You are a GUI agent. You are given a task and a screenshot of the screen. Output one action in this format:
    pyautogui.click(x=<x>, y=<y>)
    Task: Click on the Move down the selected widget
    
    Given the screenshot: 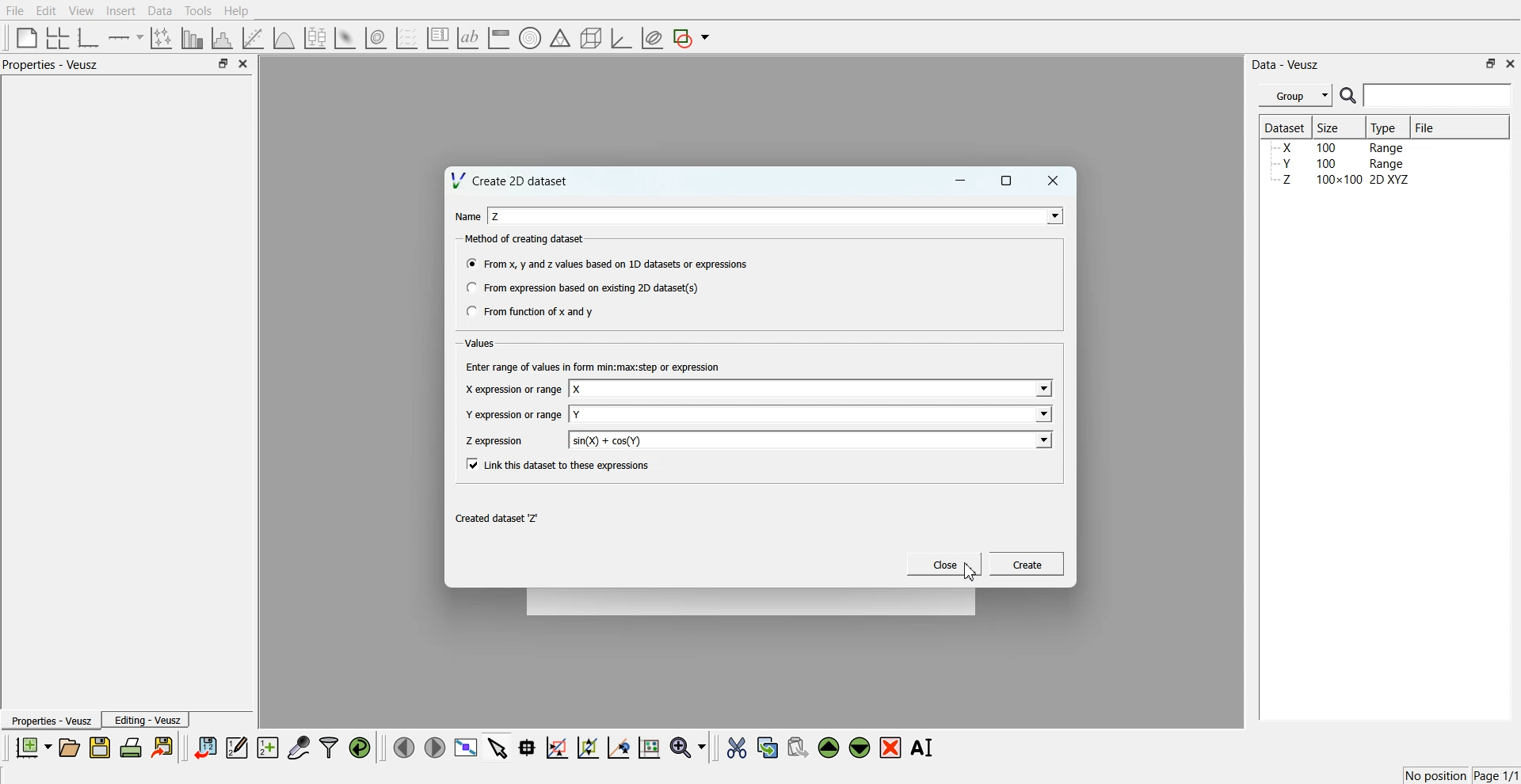 What is the action you would take?
    pyautogui.click(x=860, y=748)
    